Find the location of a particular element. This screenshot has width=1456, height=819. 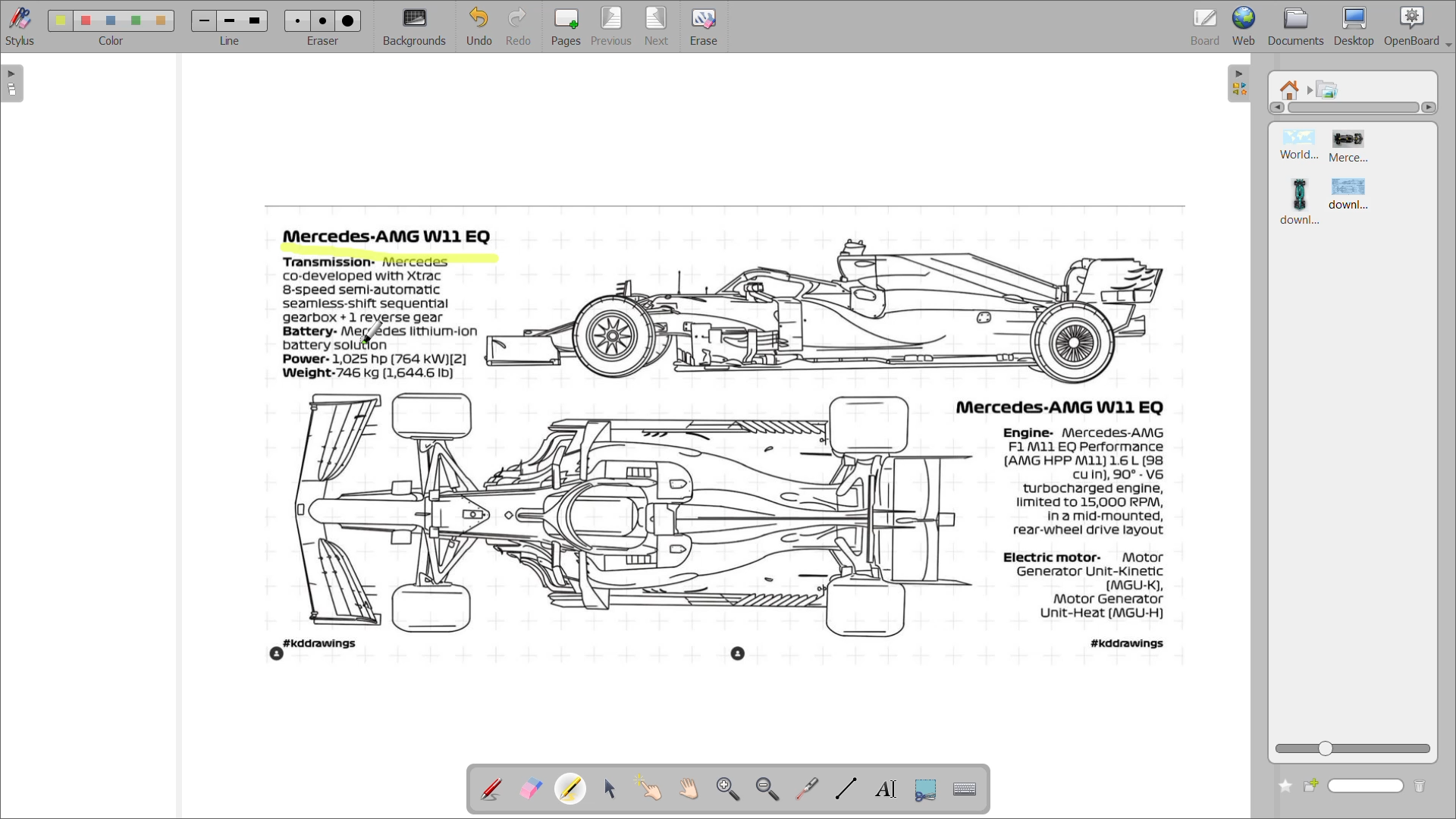

background is located at coordinates (417, 27).